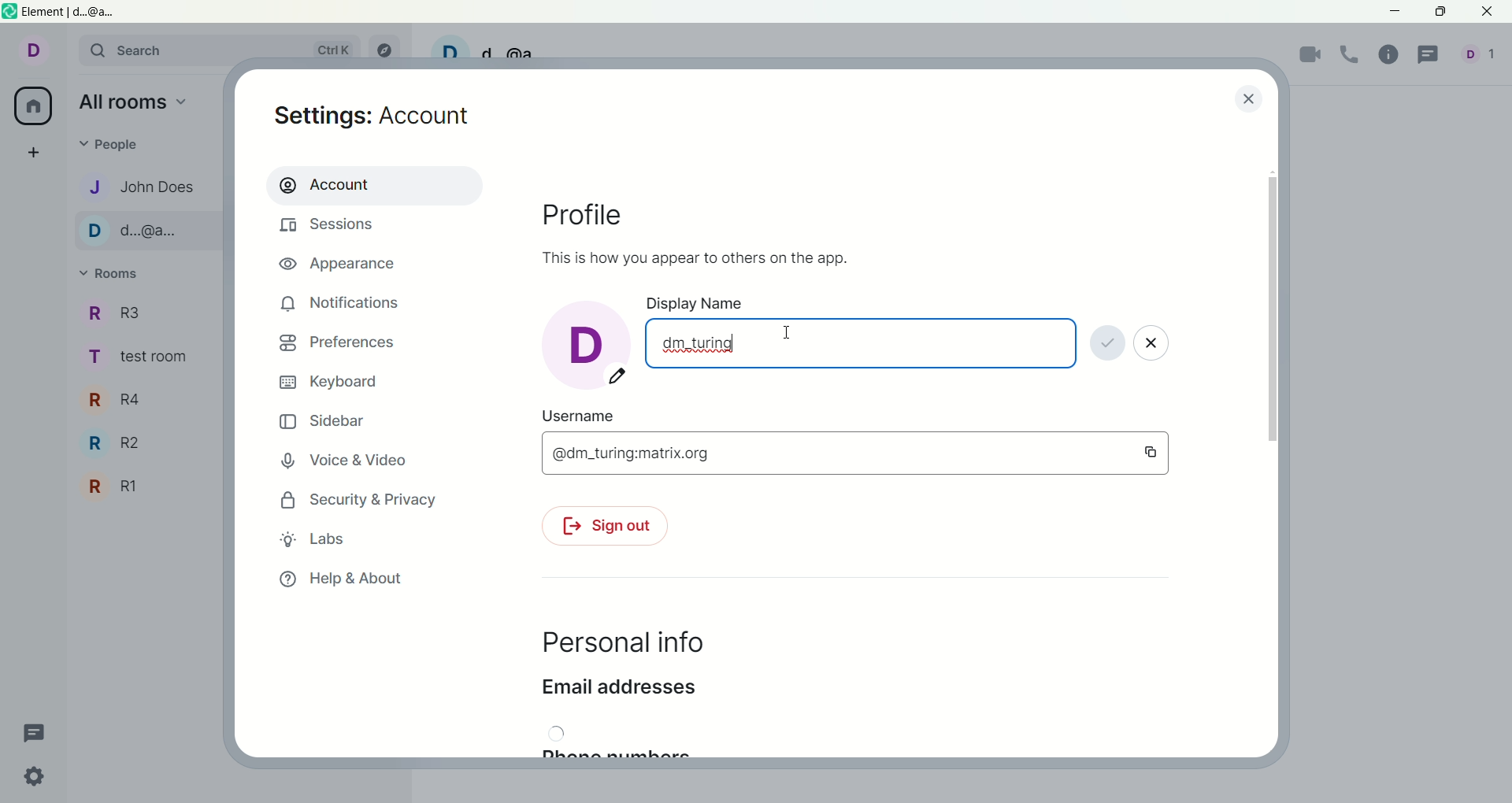 The image size is (1512, 803). I want to click on @dm_turing:matrix.org, so click(858, 451).